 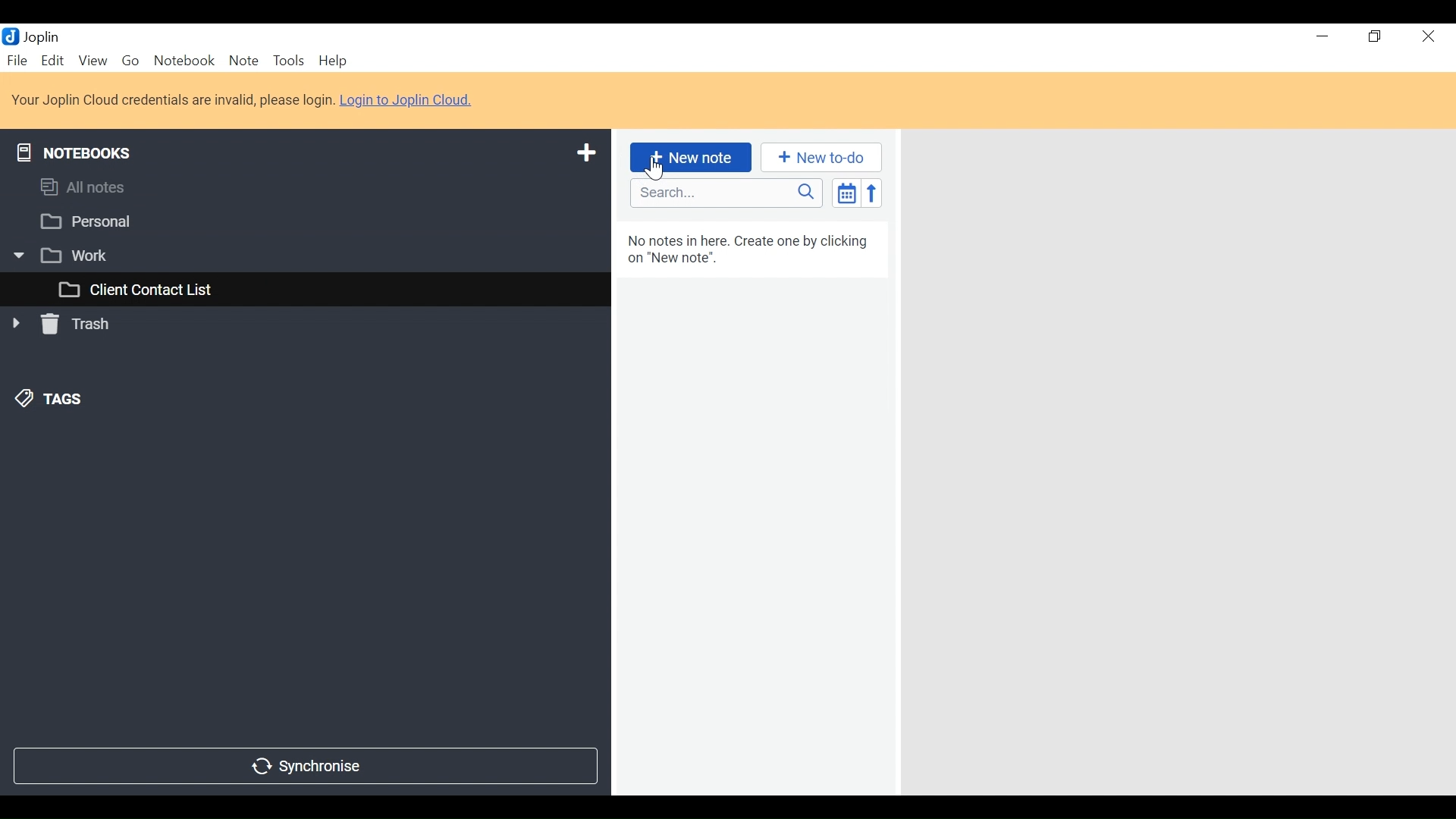 I want to click on Toggle sort order field, so click(x=846, y=192).